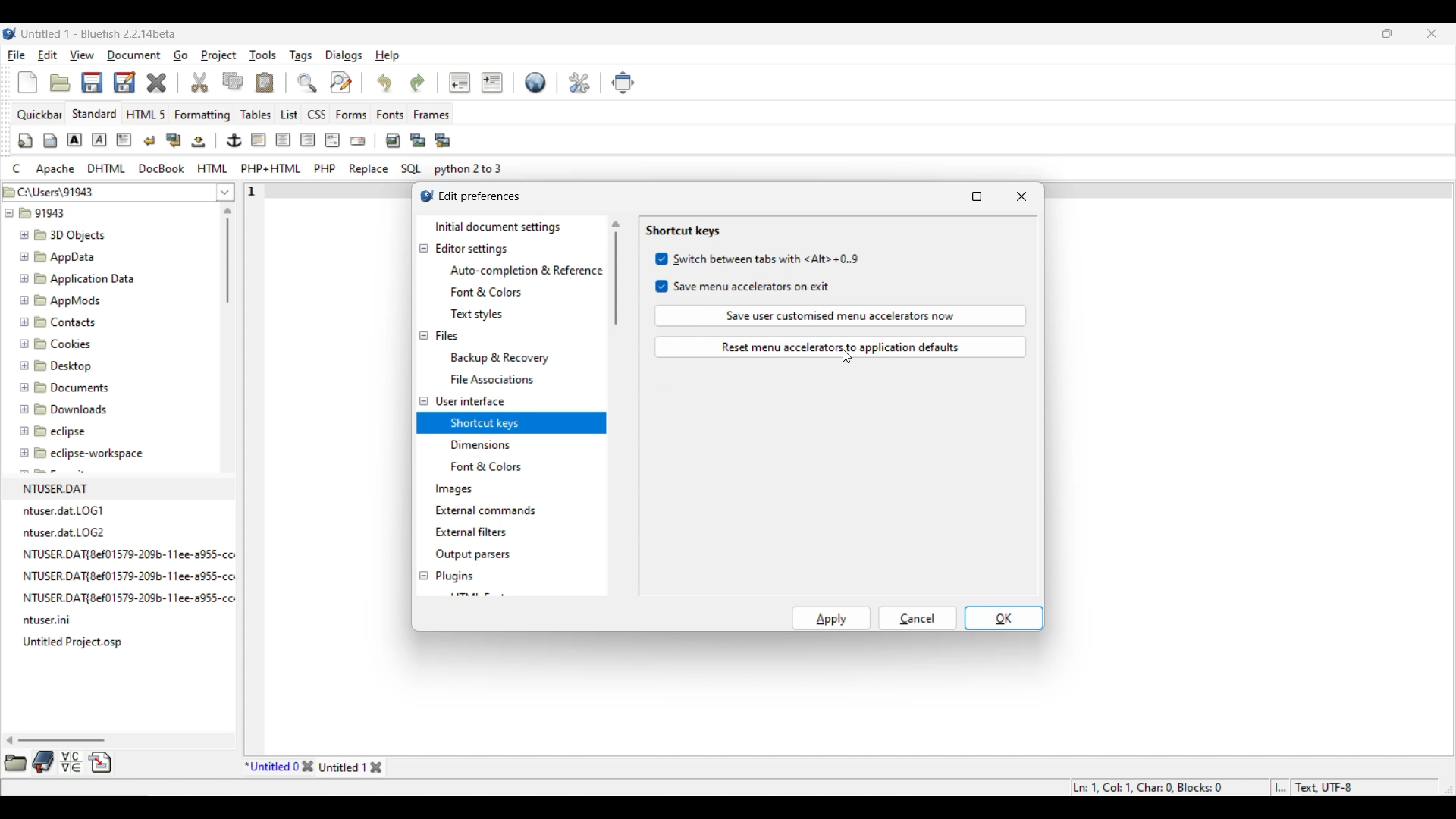  Describe the element at coordinates (271, 767) in the screenshot. I see `Current tab` at that location.